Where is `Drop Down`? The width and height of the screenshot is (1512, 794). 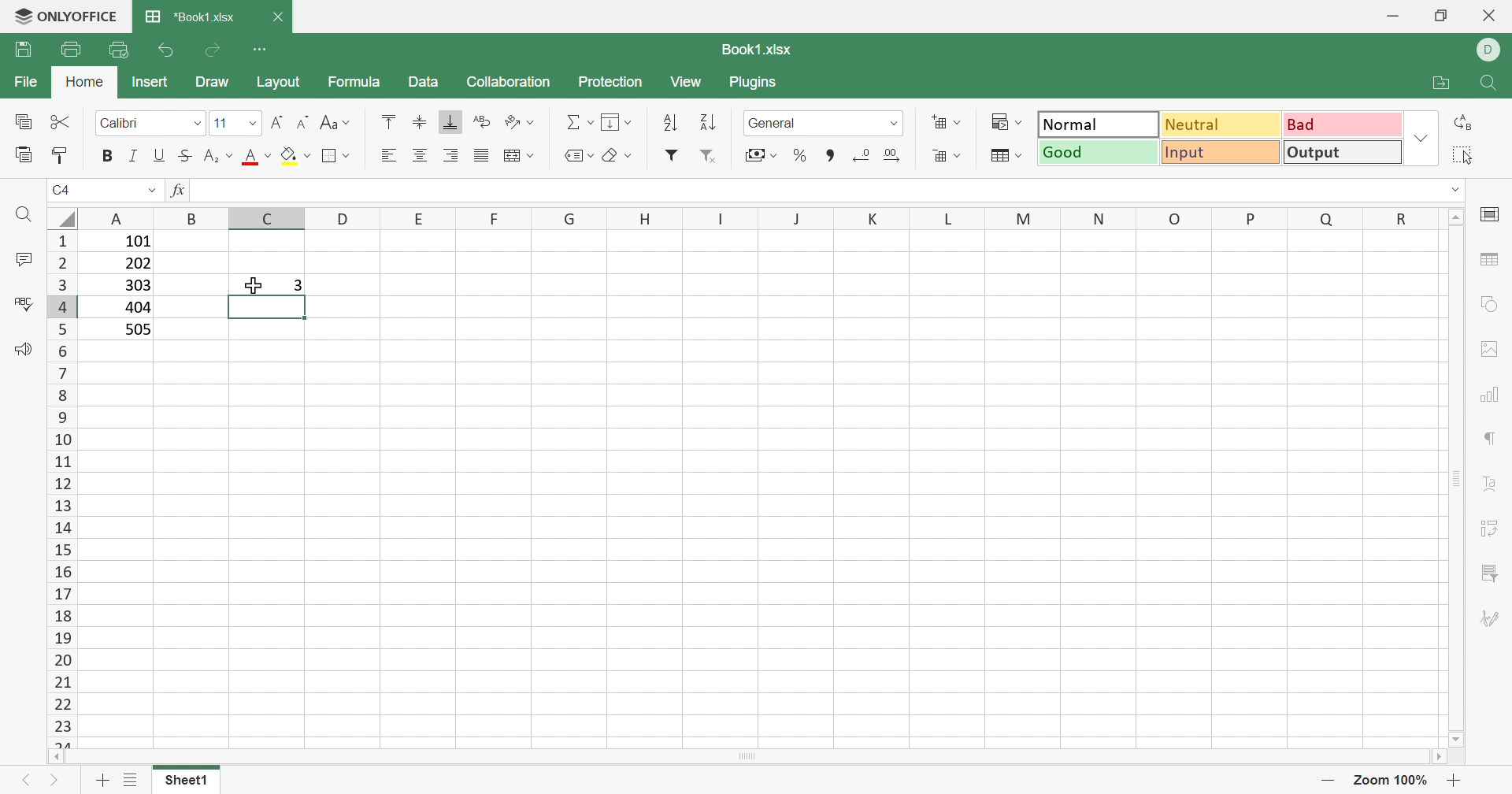
Drop Down is located at coordinates (200, 124).